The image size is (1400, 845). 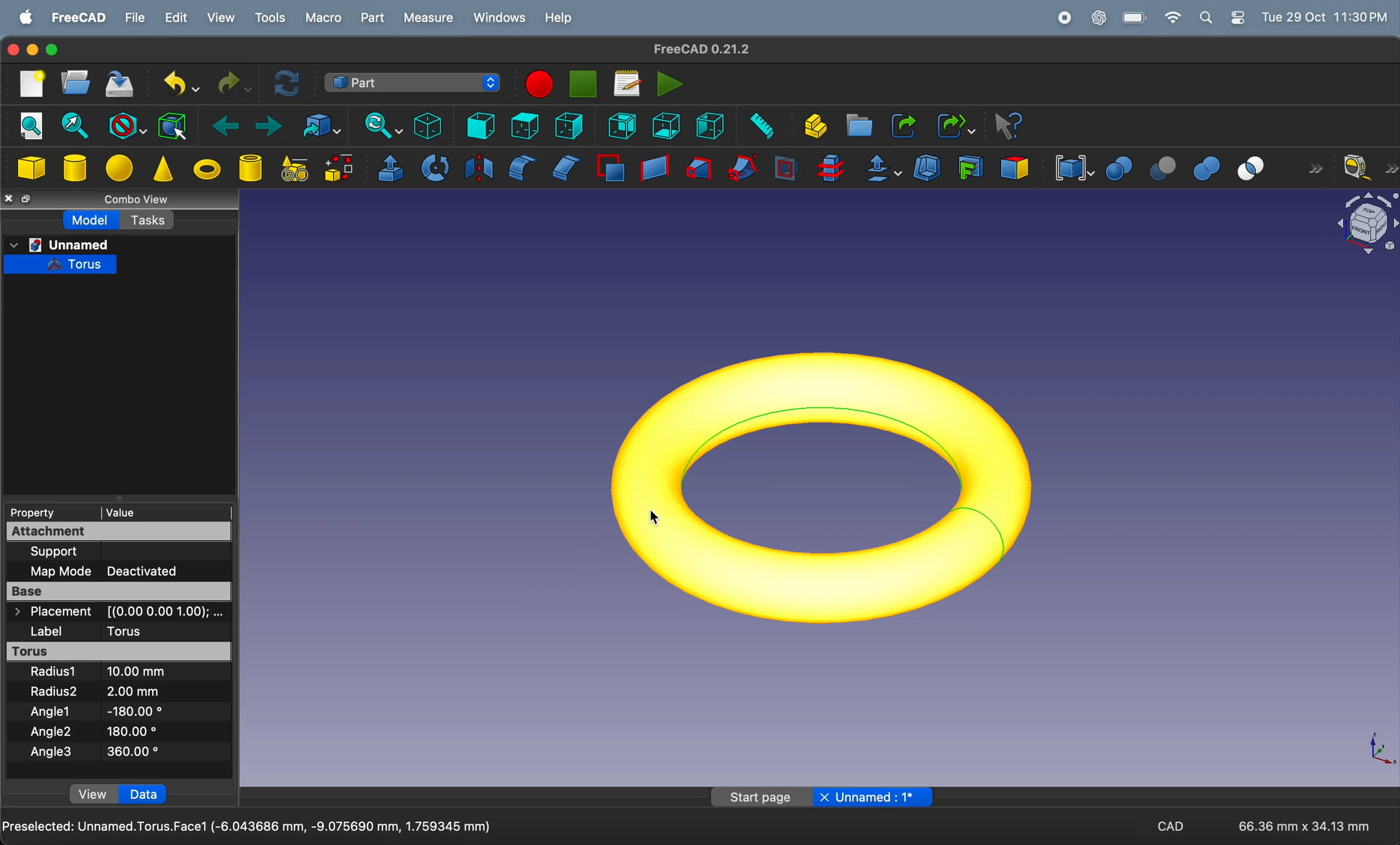 I want to click on cursor, so click(x=656, y=520).